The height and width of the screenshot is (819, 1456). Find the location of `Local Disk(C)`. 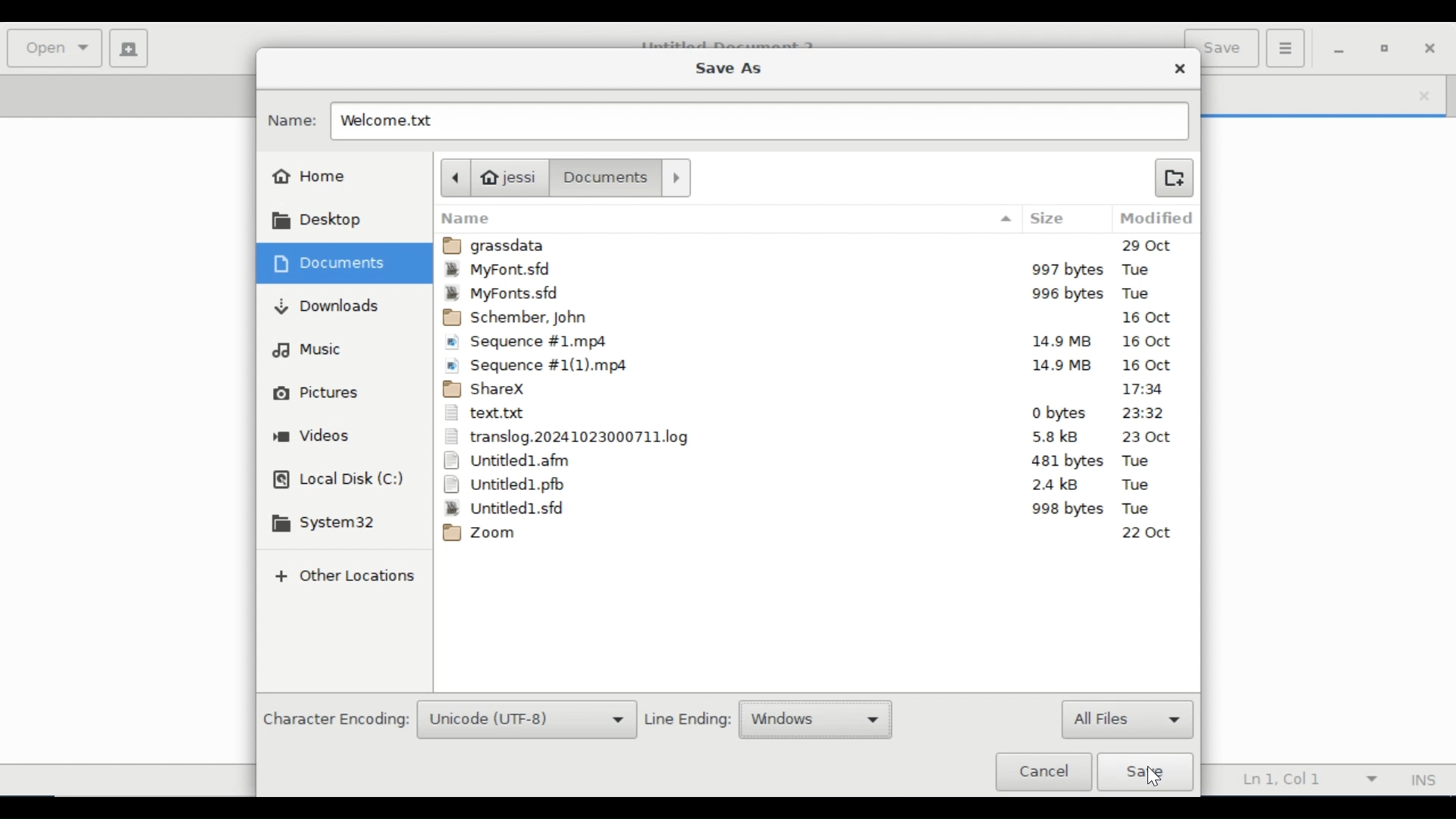

Local Disk(C) is located at coordinates (337, 481).